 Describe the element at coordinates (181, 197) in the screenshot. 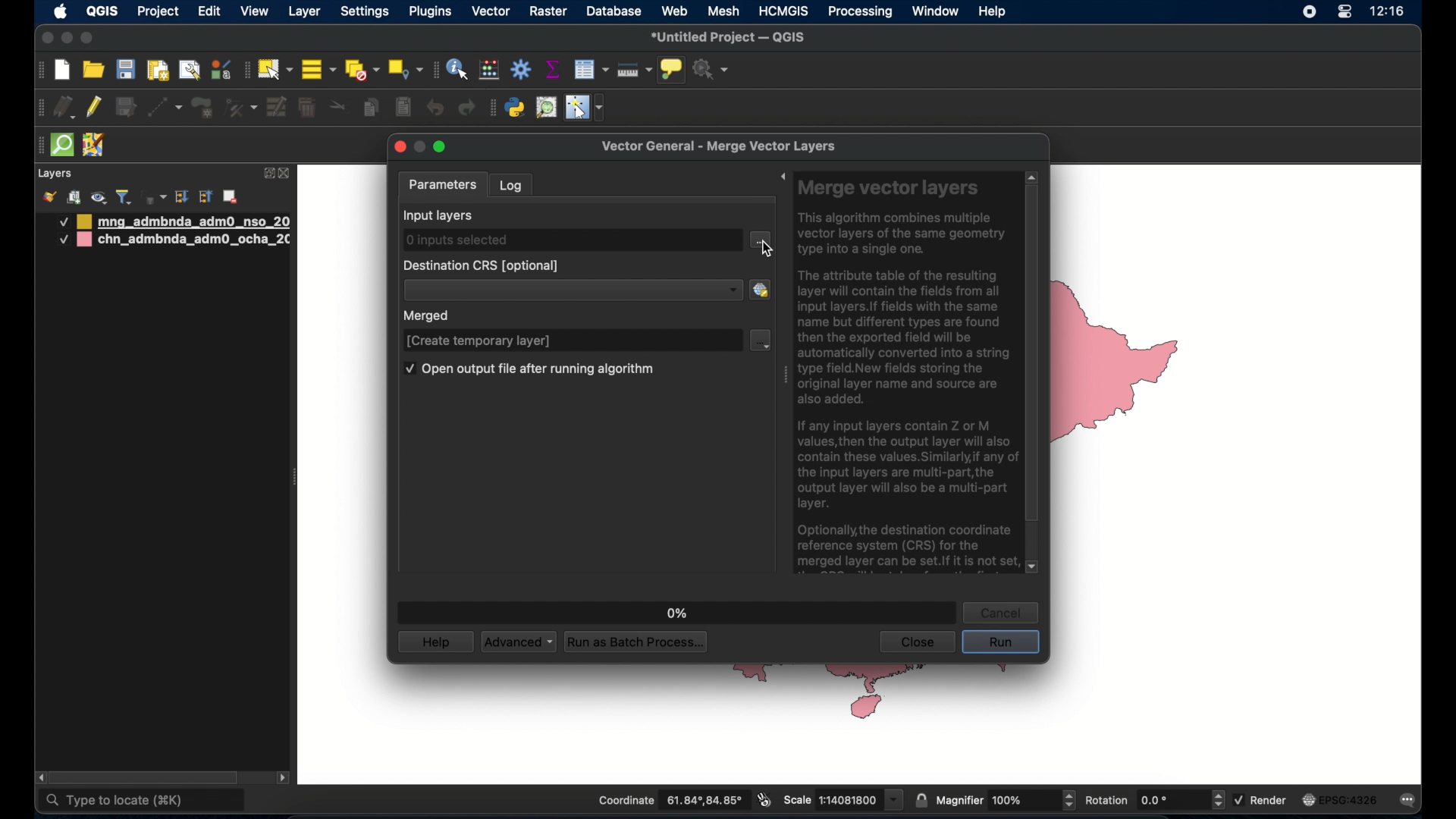

I see `expand all` at that location.